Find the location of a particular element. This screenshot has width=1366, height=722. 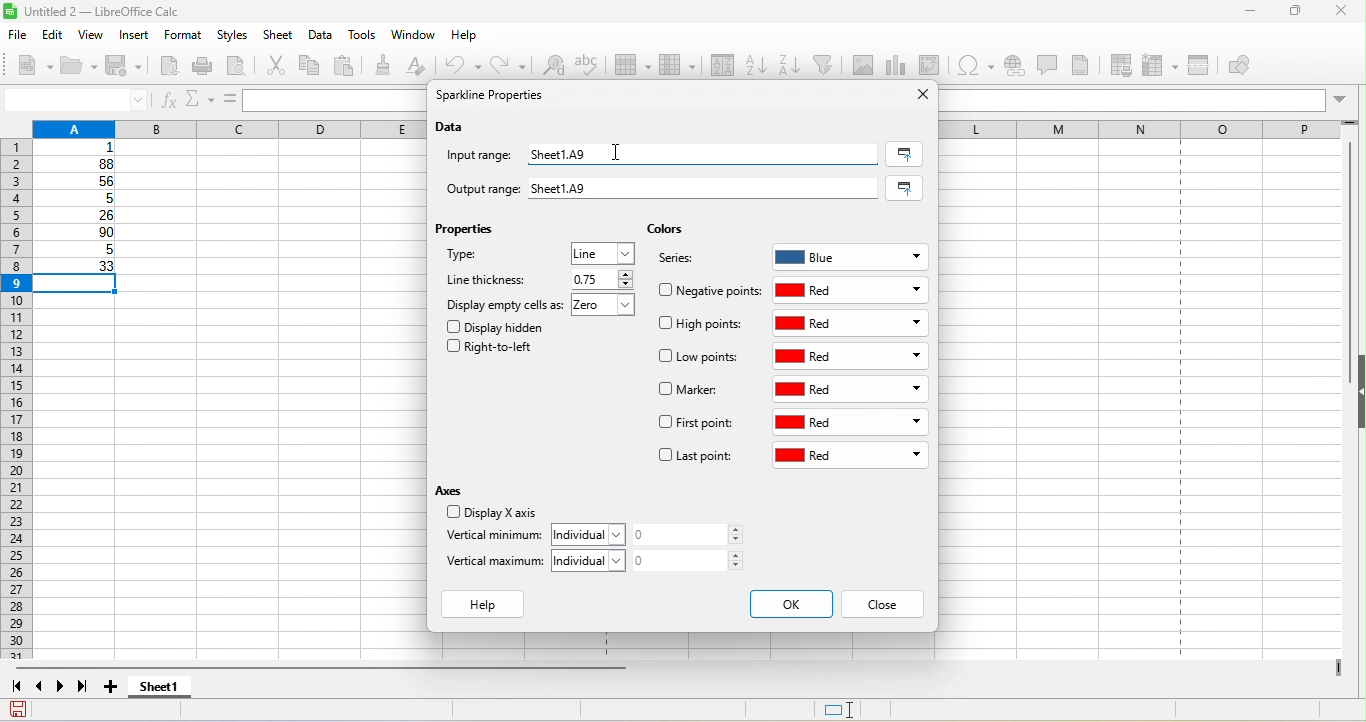

1 is located at coordinates (82, 148).